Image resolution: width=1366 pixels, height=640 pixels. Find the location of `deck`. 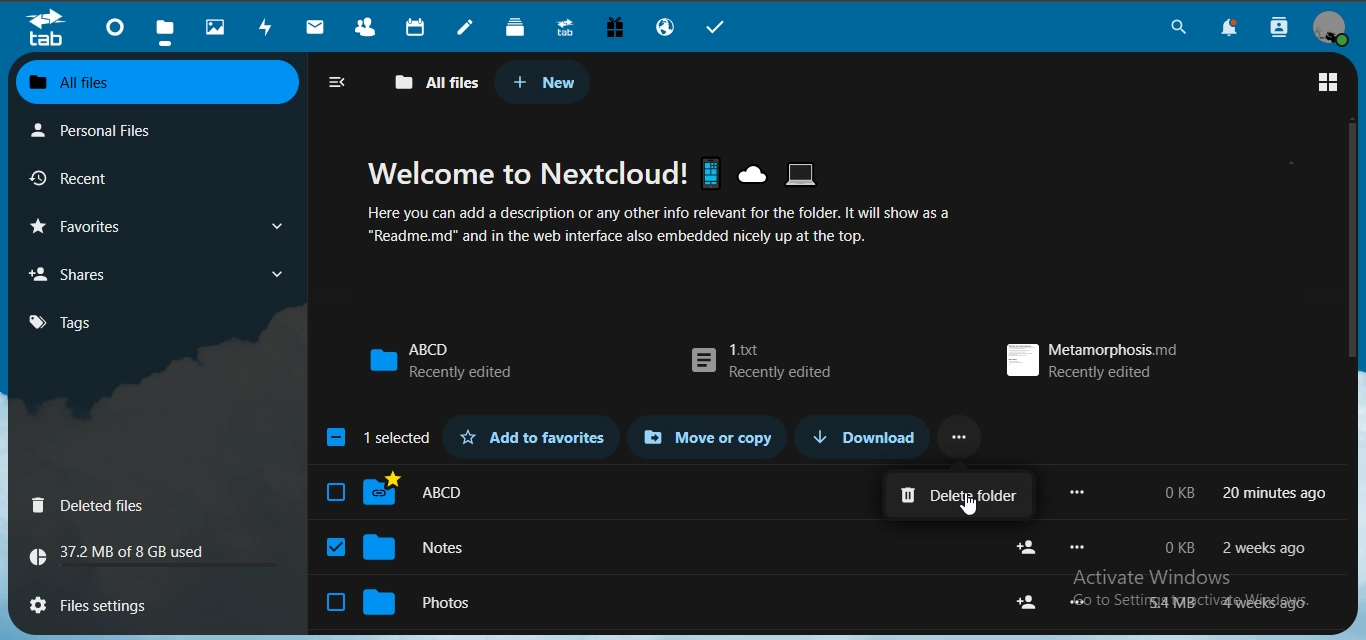

deck is located at coordinates (519, 27).